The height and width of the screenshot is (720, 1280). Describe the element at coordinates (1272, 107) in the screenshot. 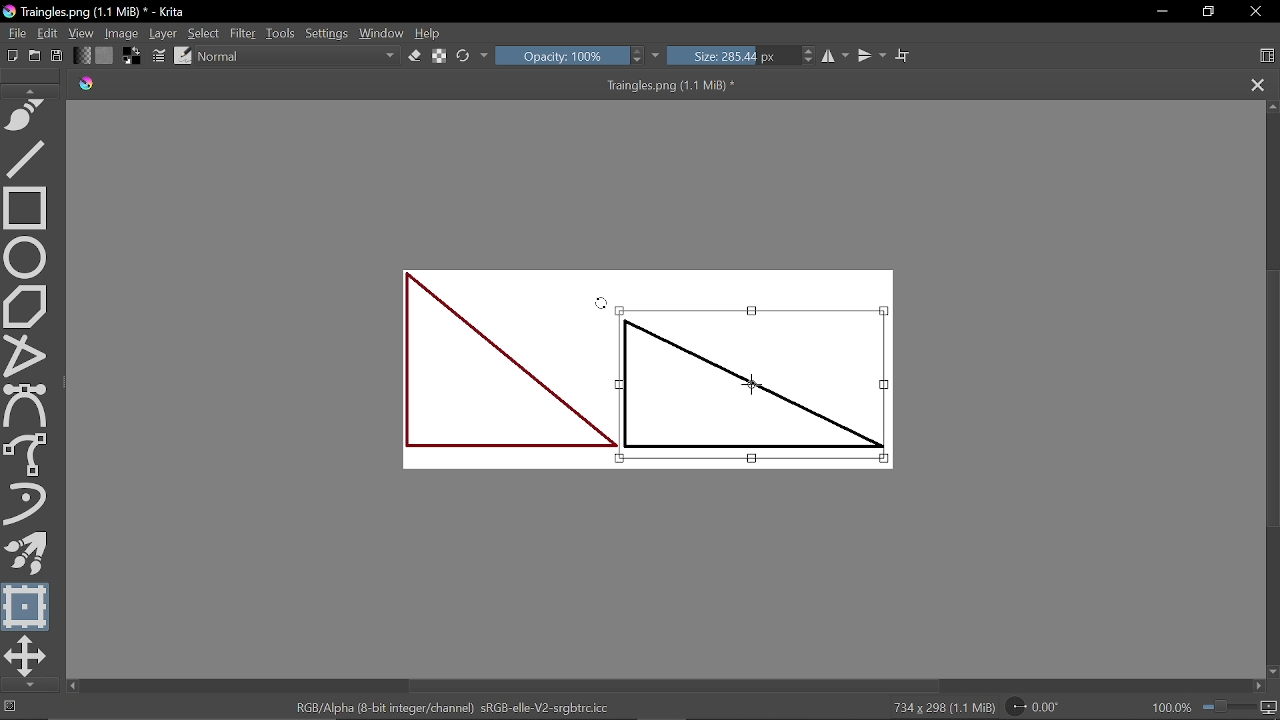

I see `Move up` at that location.